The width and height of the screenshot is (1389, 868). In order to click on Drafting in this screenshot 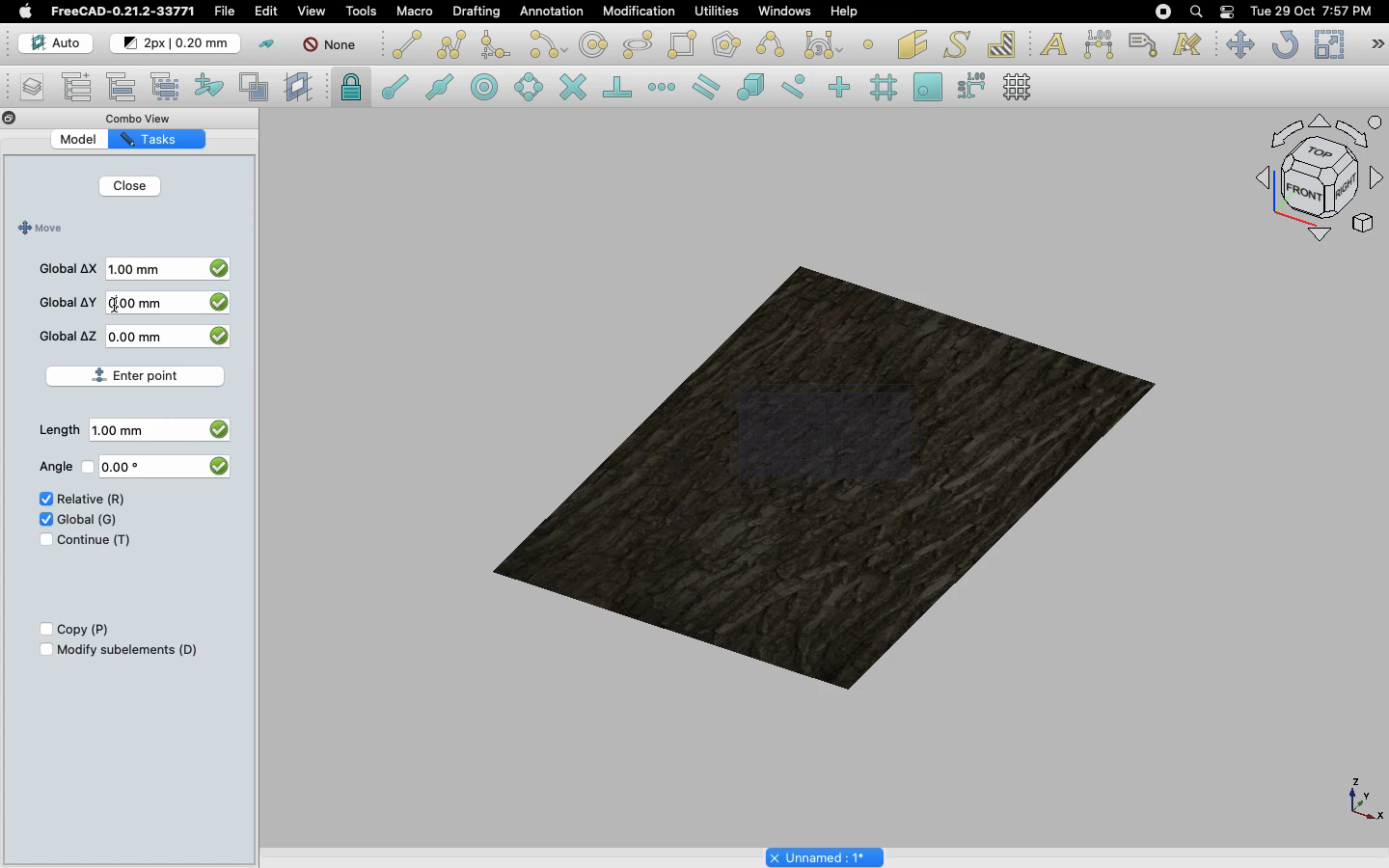, I will do `click(478, 11)`.